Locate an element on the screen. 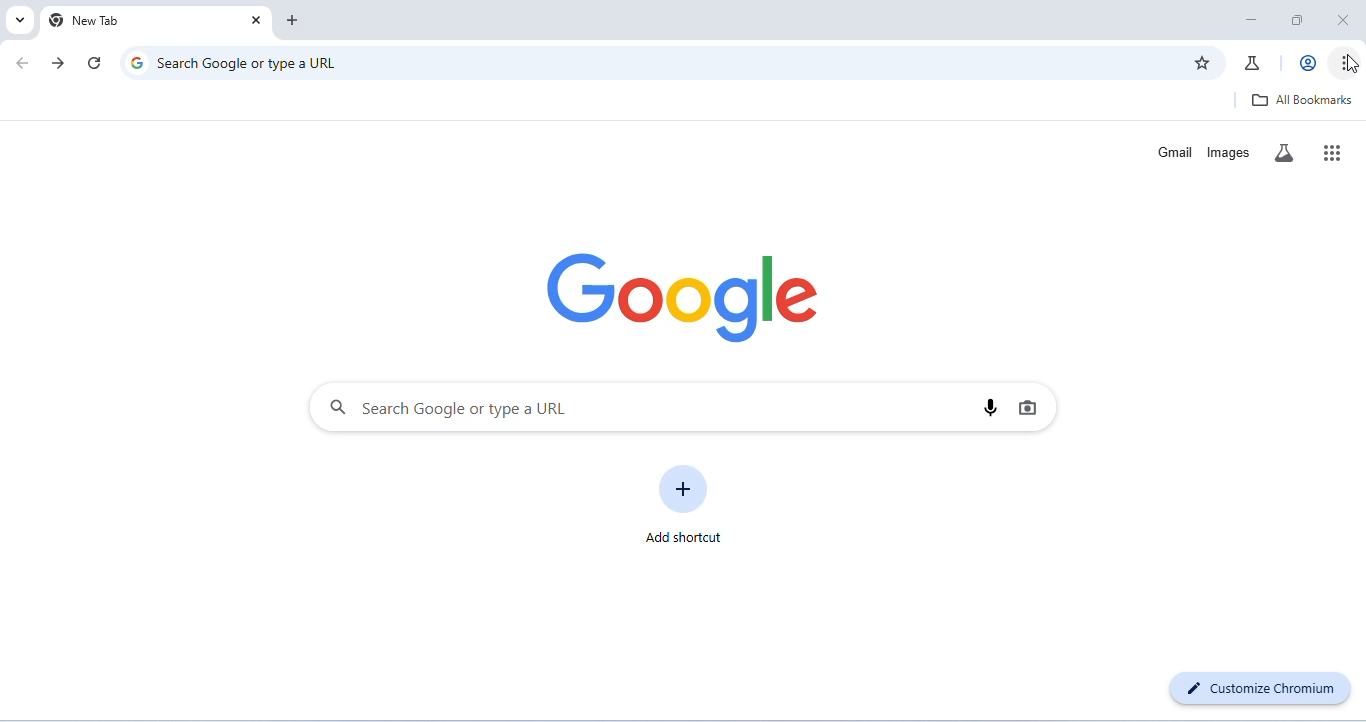  close is located at coordinates (1346, 21).